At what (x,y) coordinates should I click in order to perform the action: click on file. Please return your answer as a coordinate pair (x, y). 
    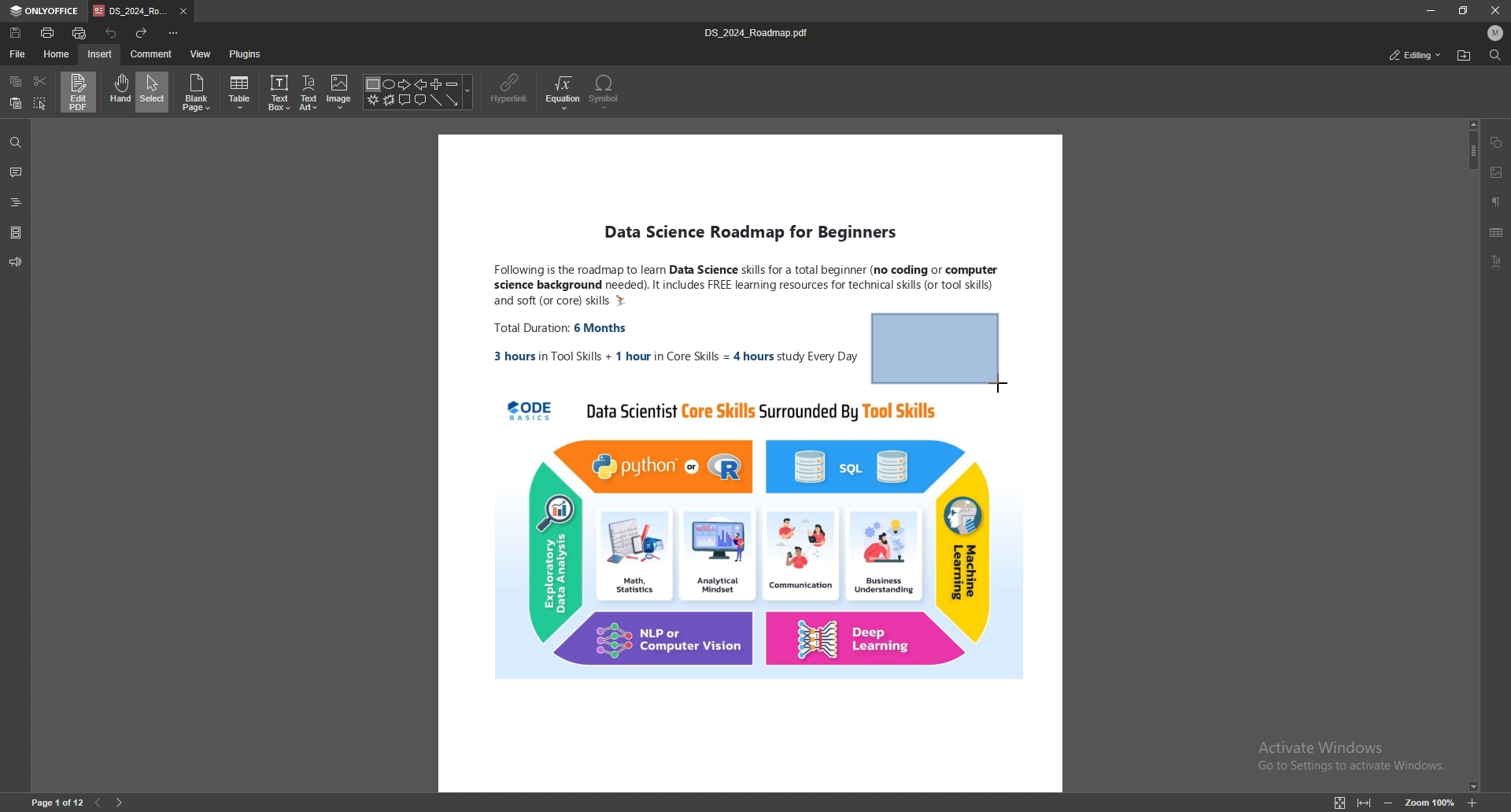
    Looking at the image, I should click on (18, 53).